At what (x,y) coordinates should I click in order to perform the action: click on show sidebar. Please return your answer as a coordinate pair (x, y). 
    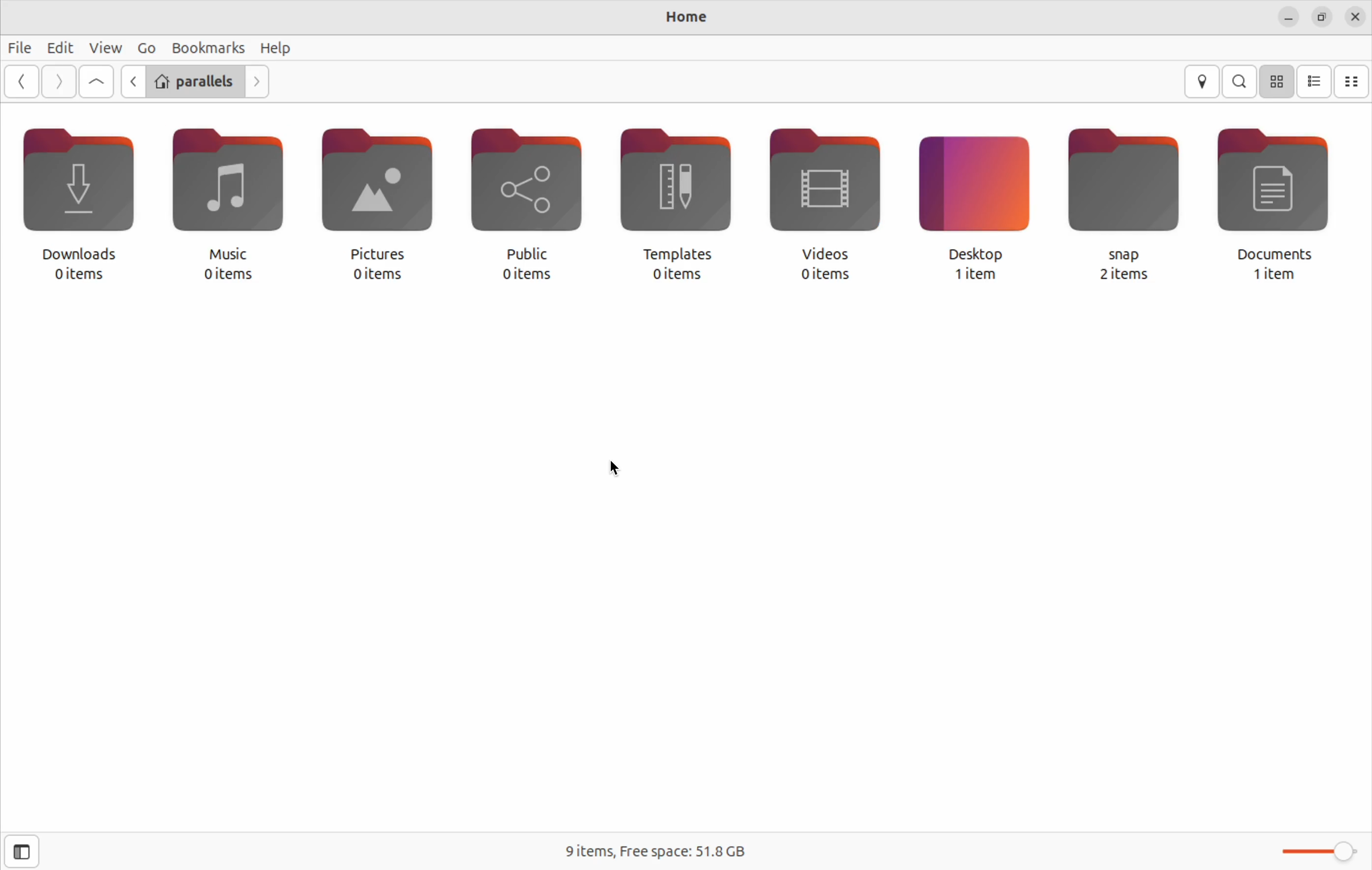
    Looking at the image, I should click on (22, 851).